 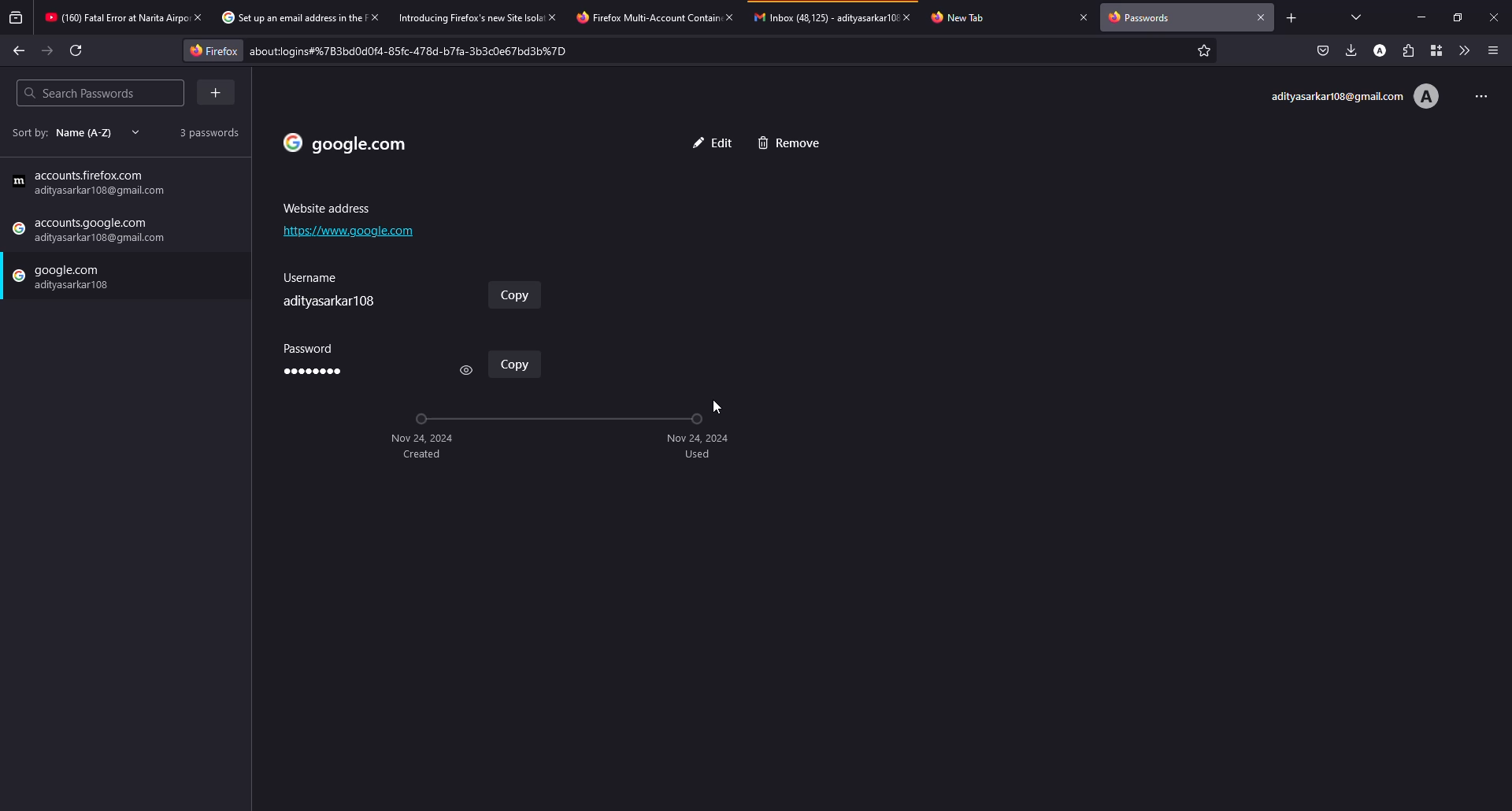 What do you see at coordinates (1202, 52) in the screenshot?
I see `favorites` at bounding box center [1202, 52].